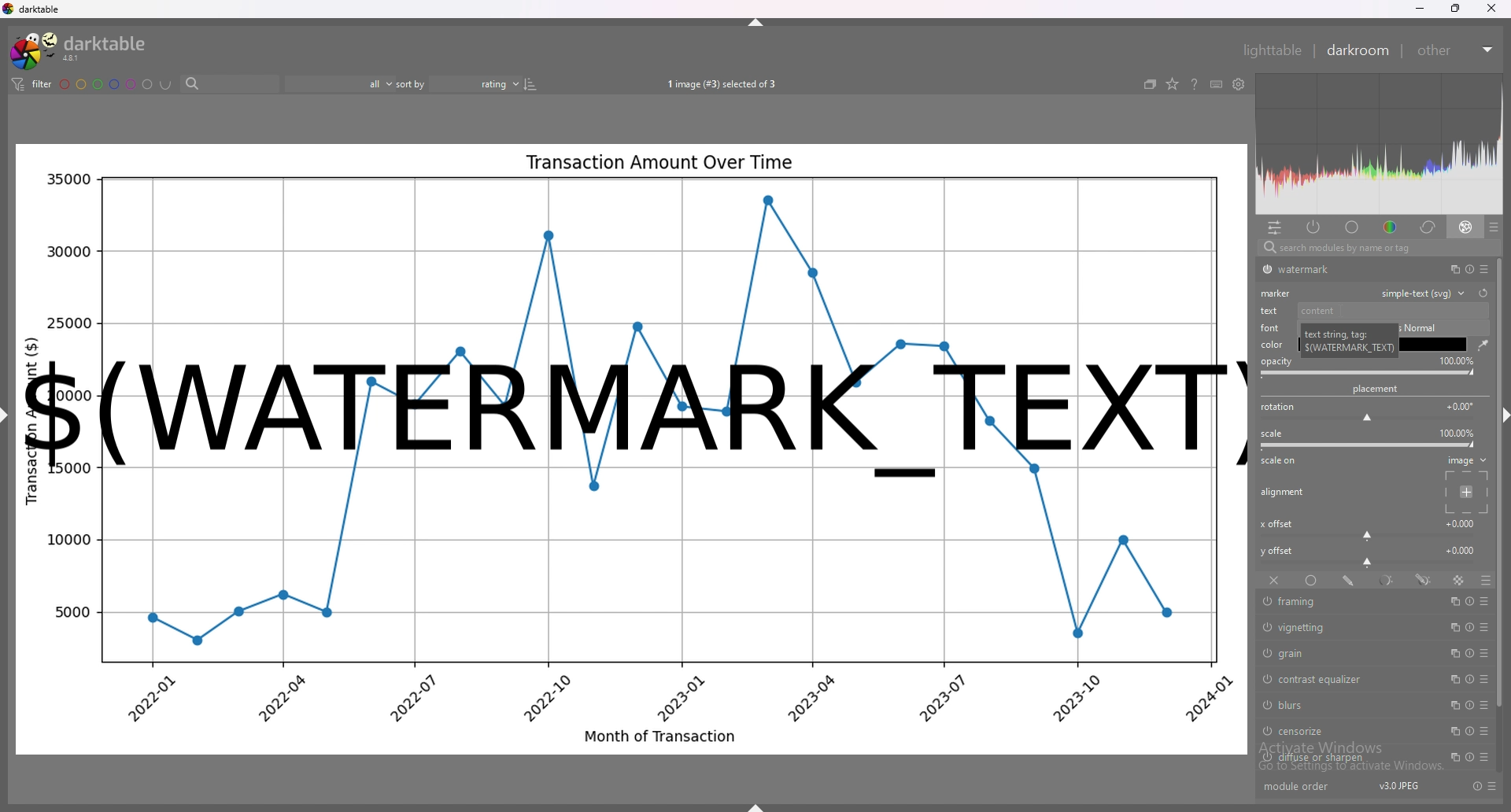 The image size is (1511, 812). Describe the element at coordinates (1421, 327) in the screenshot. I see `normal` at that location.